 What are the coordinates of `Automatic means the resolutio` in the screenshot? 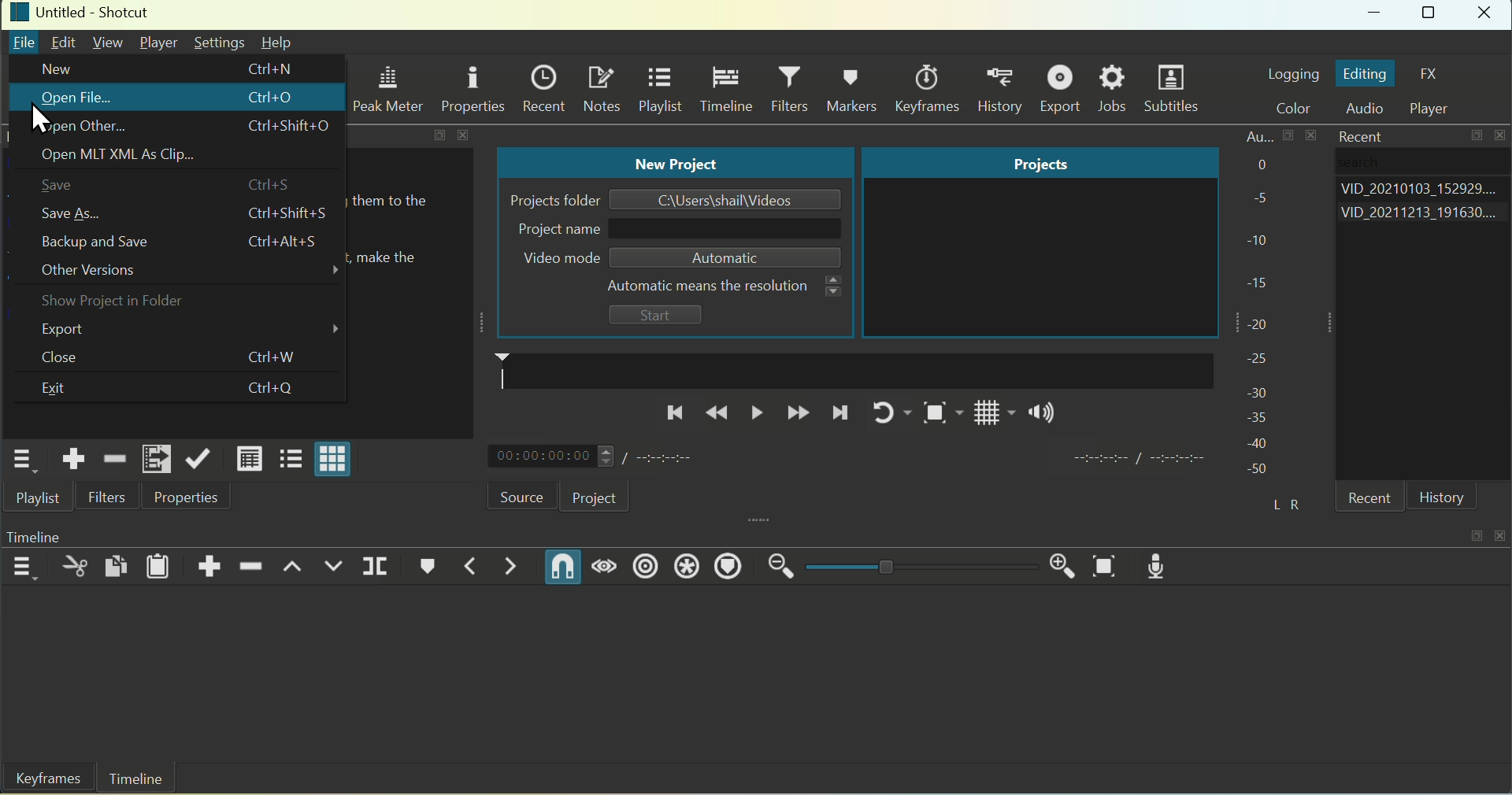 It's located at (710, 286).